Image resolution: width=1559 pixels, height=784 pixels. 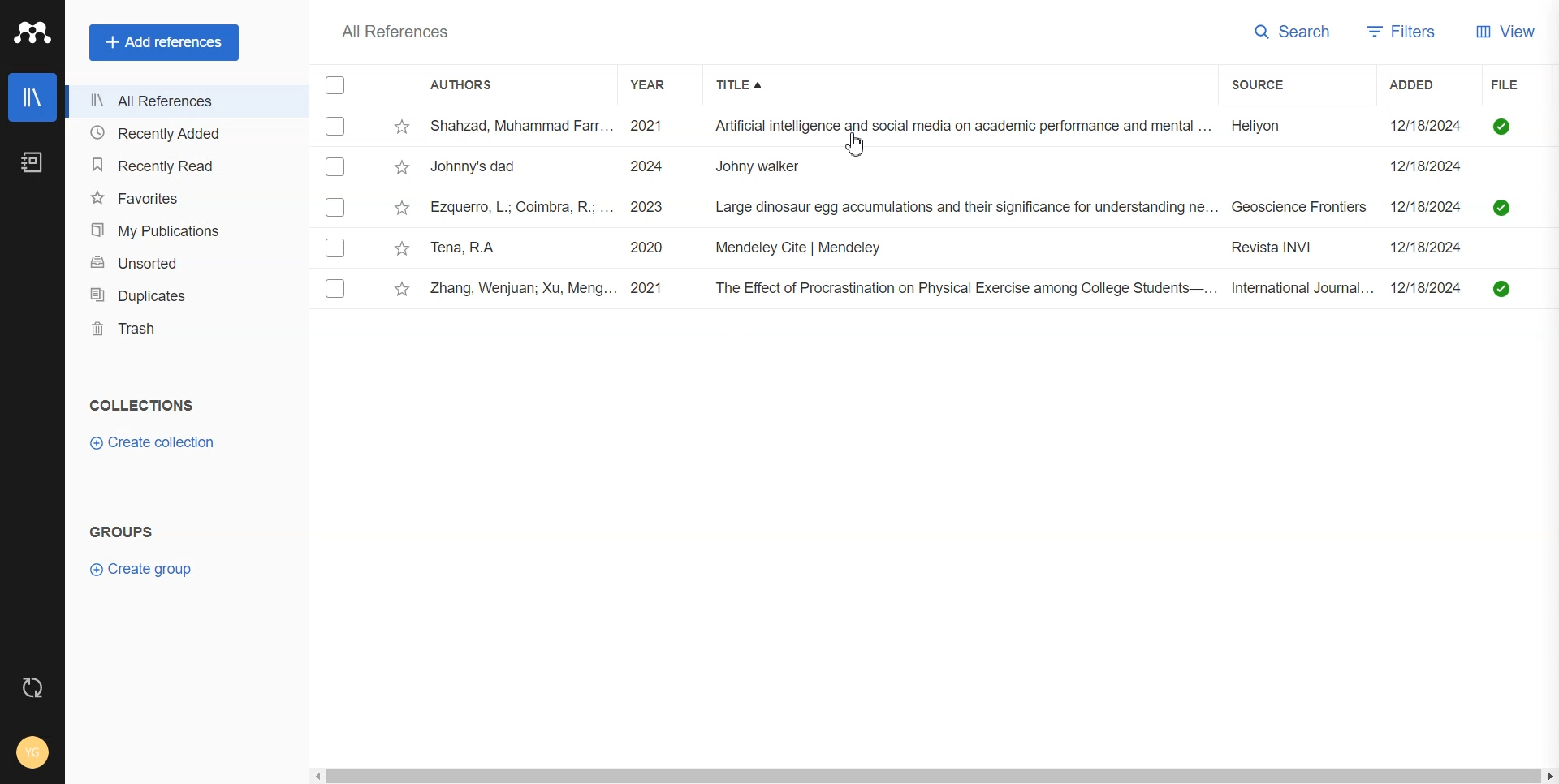 I want to click on Auto Sync, so click(x=32, y=687).